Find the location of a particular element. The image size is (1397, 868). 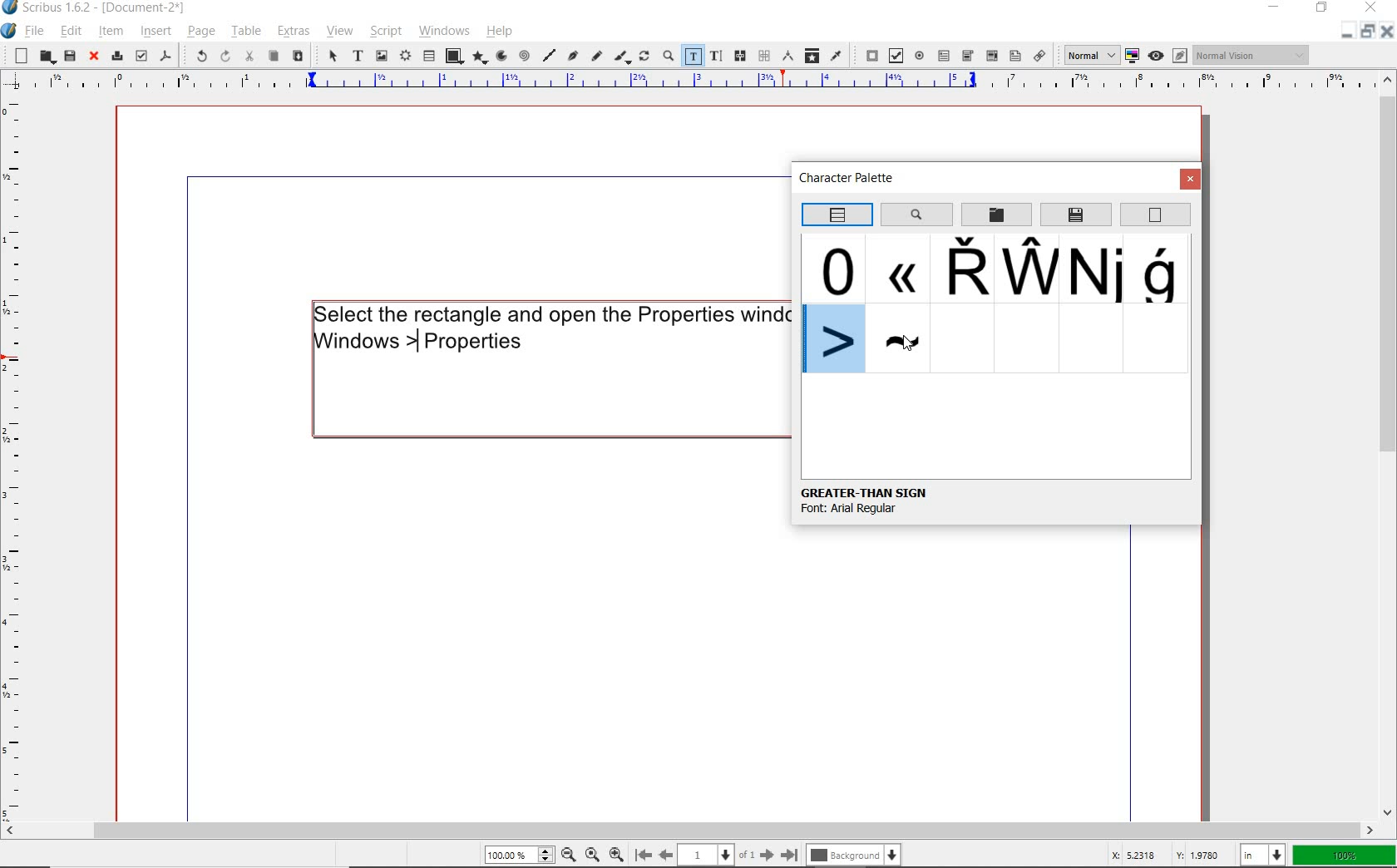

new is located at coordinates (17, 56).